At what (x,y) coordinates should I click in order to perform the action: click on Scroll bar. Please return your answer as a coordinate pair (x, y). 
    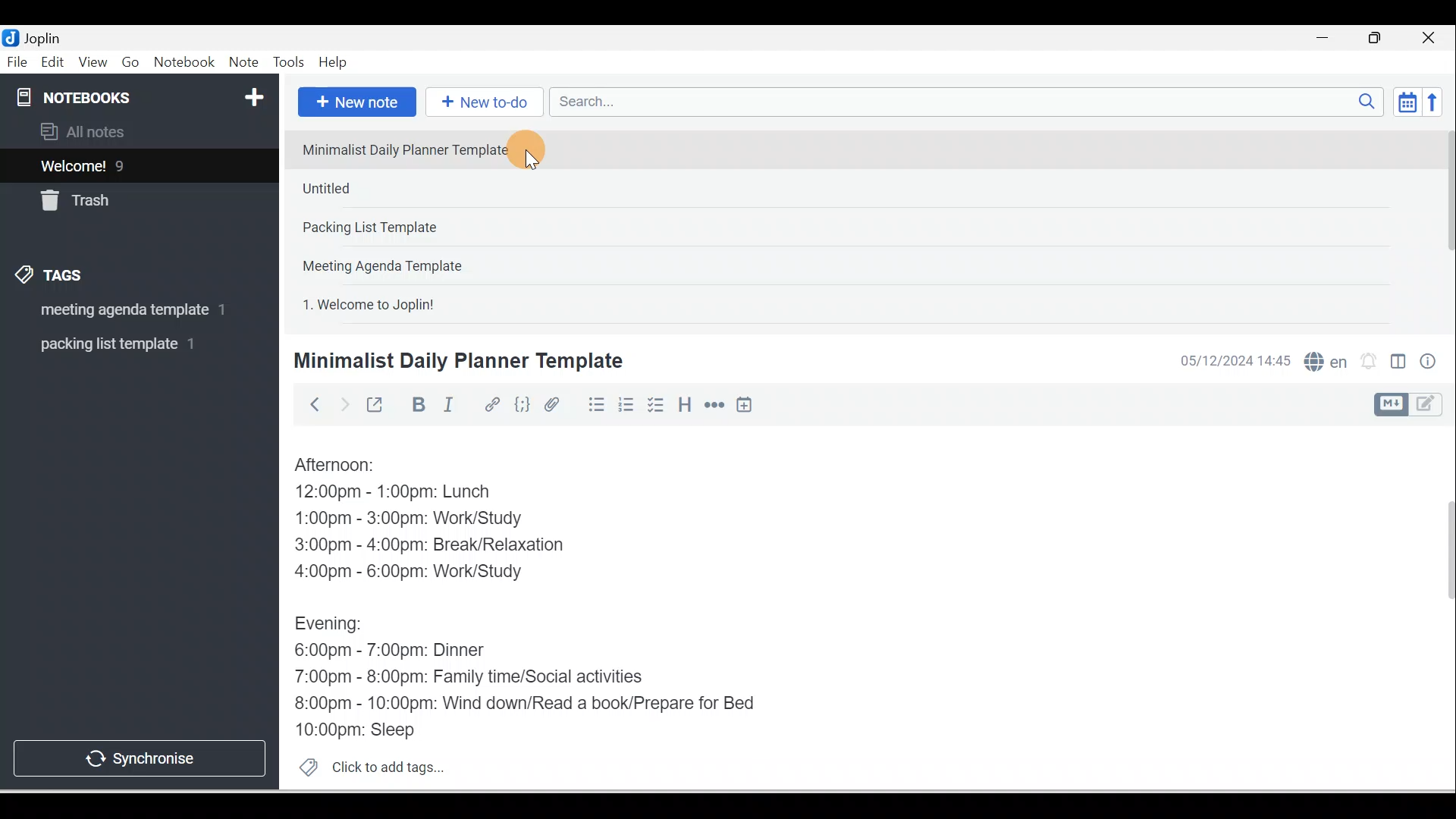
    Looking at the image, I should click on (1439, 608).